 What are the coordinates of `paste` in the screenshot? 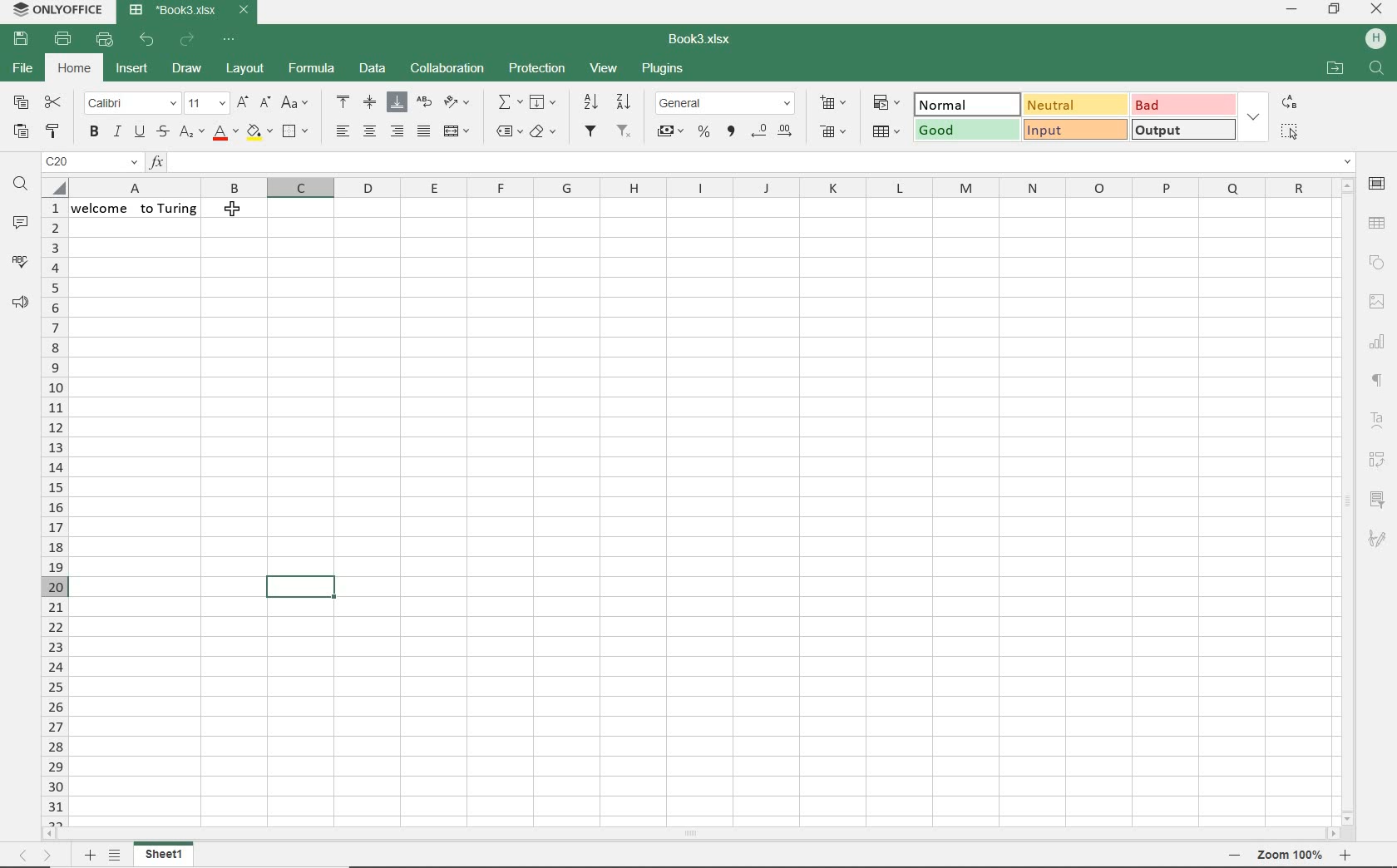 It's located at (19, 131).